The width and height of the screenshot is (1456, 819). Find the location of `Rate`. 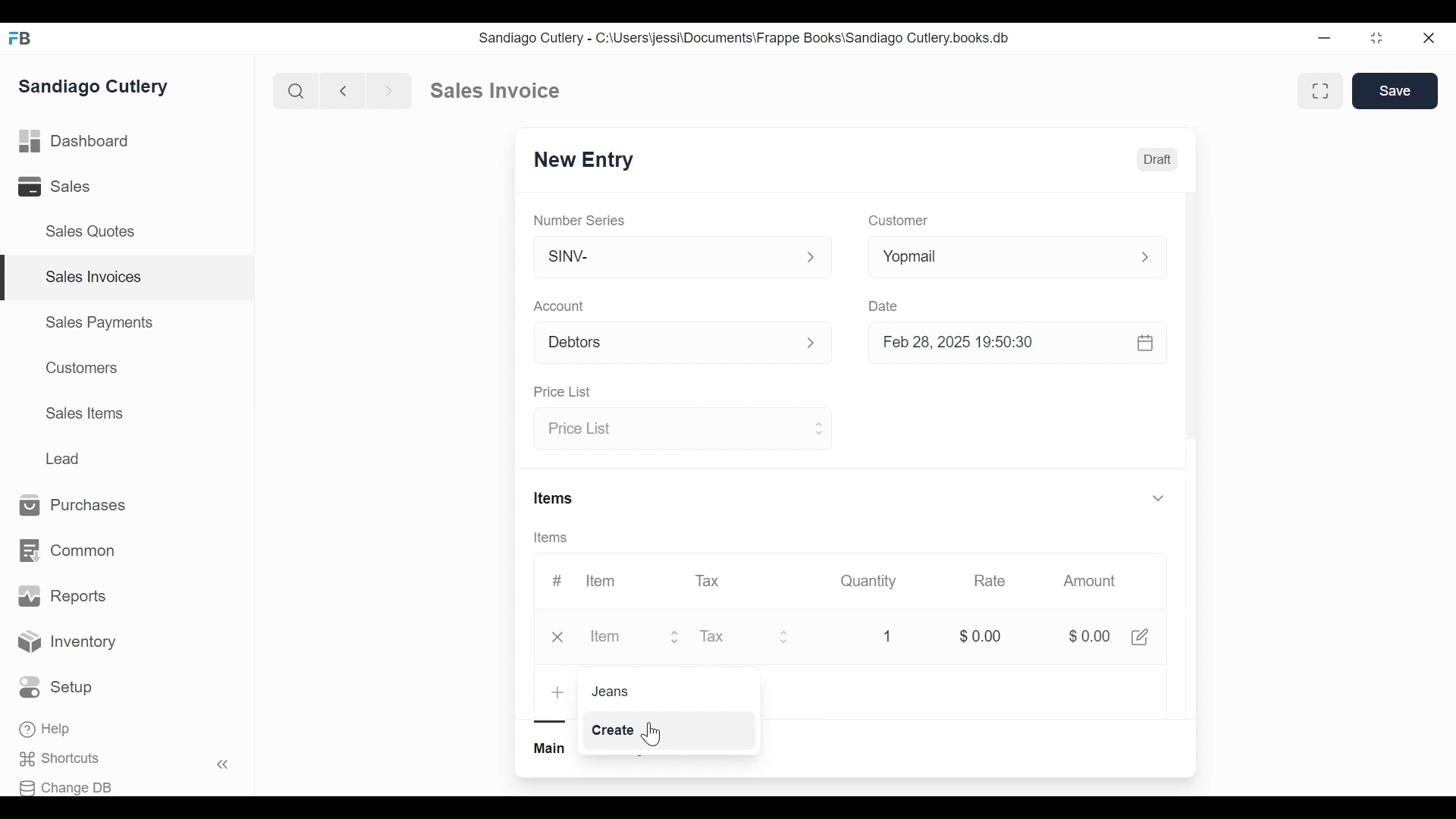

Rate is located at coordinates (990, 581).